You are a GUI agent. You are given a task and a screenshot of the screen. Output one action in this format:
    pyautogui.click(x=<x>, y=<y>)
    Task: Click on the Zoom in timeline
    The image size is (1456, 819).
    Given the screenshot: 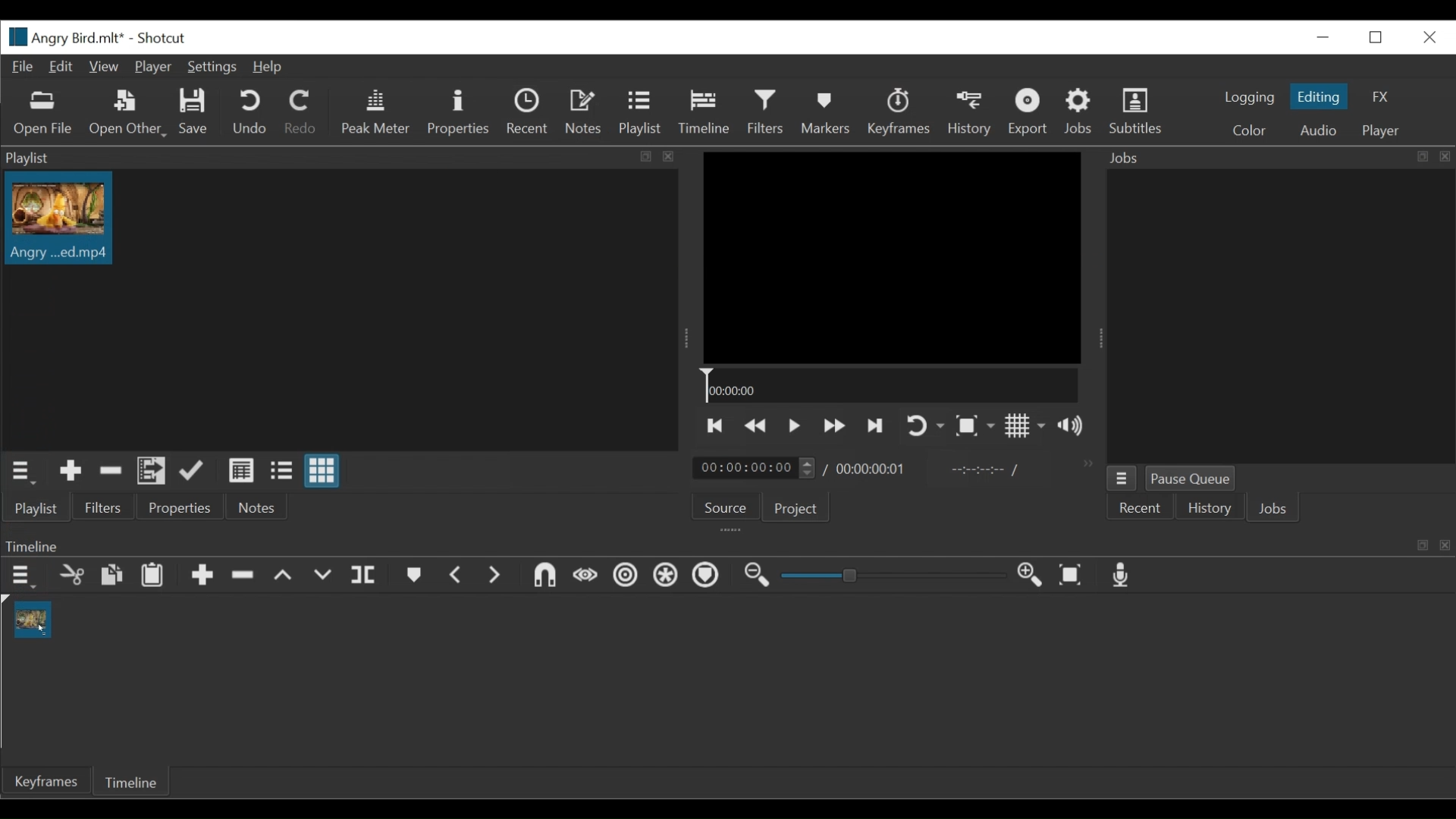 What is the action you would take?
    pyautogui.click(x=1032, y=576)
    